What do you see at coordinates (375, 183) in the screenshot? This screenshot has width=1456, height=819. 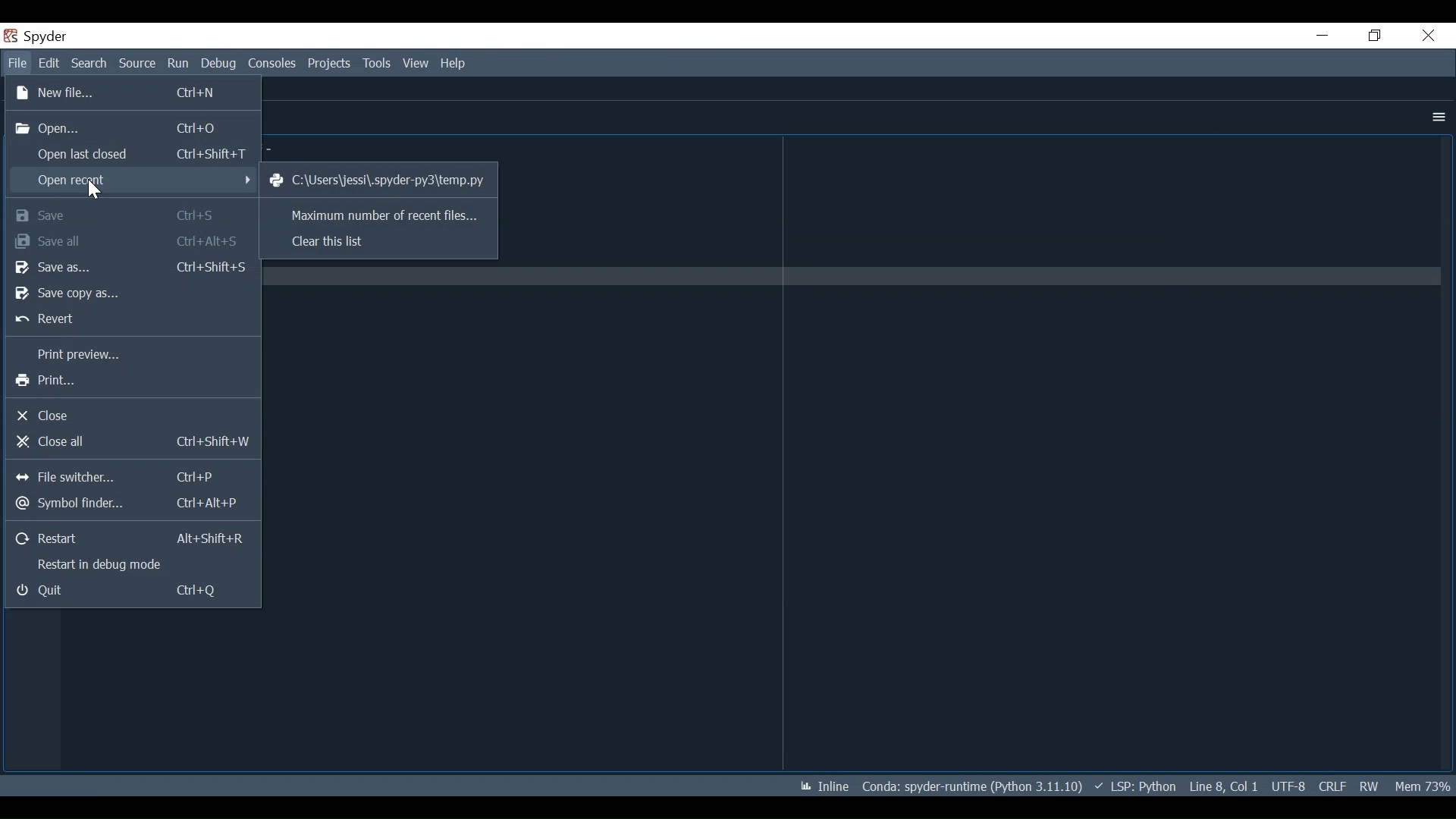 I see `C:\Users\jessi\spyder-py3\temp.py` at bounding box center [375, 183].